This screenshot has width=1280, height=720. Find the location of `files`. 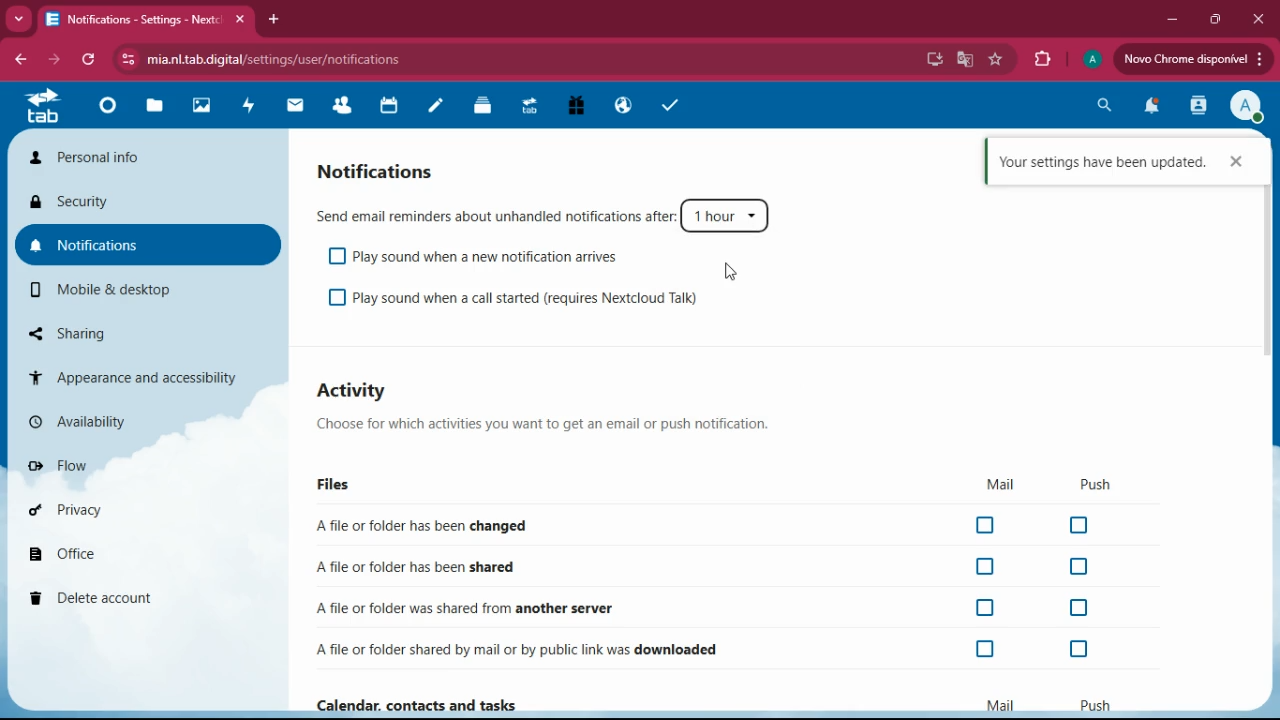

files is located at coordinates (484, 108).